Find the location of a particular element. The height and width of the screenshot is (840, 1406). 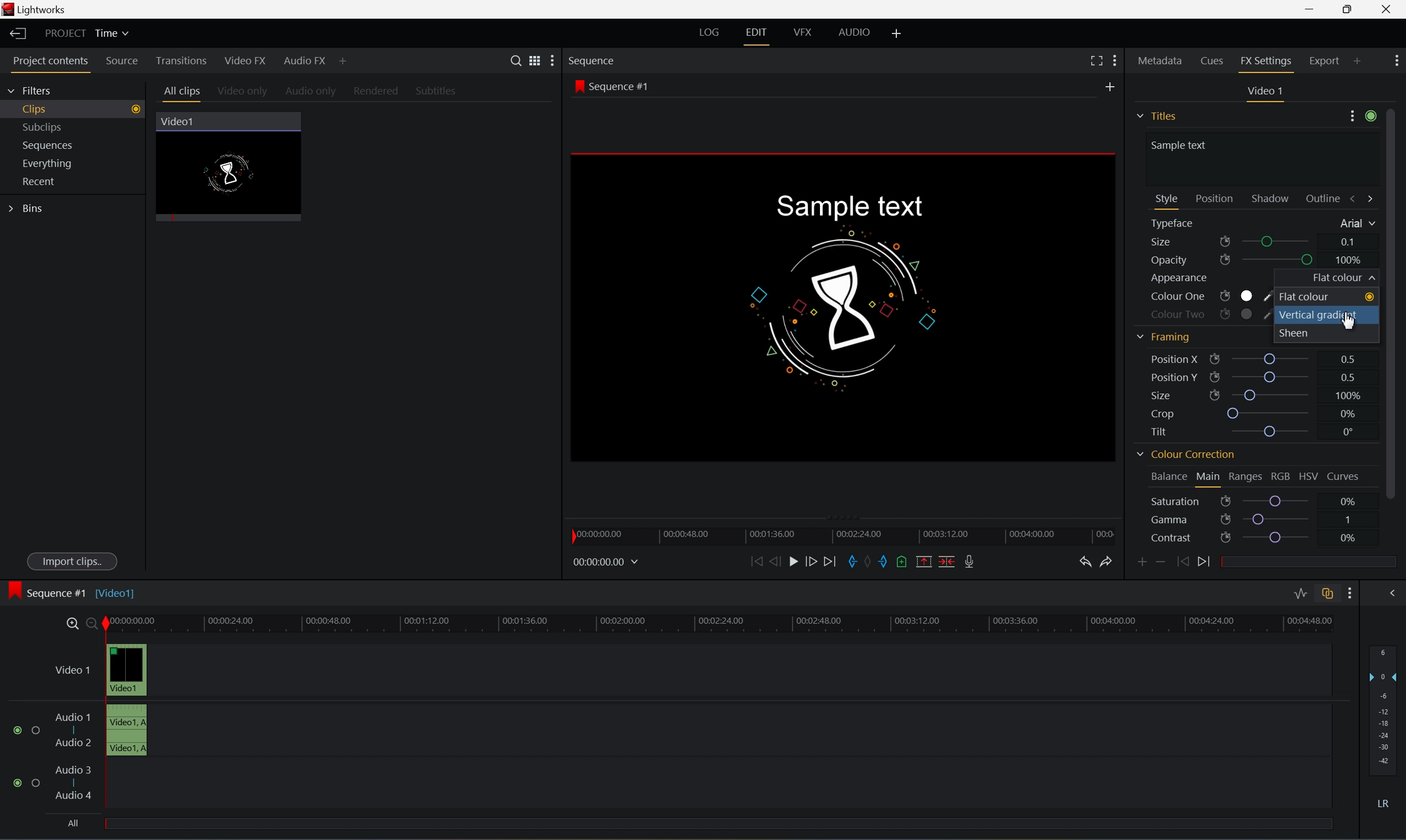

Video1 is located at coordinates (118, 593).